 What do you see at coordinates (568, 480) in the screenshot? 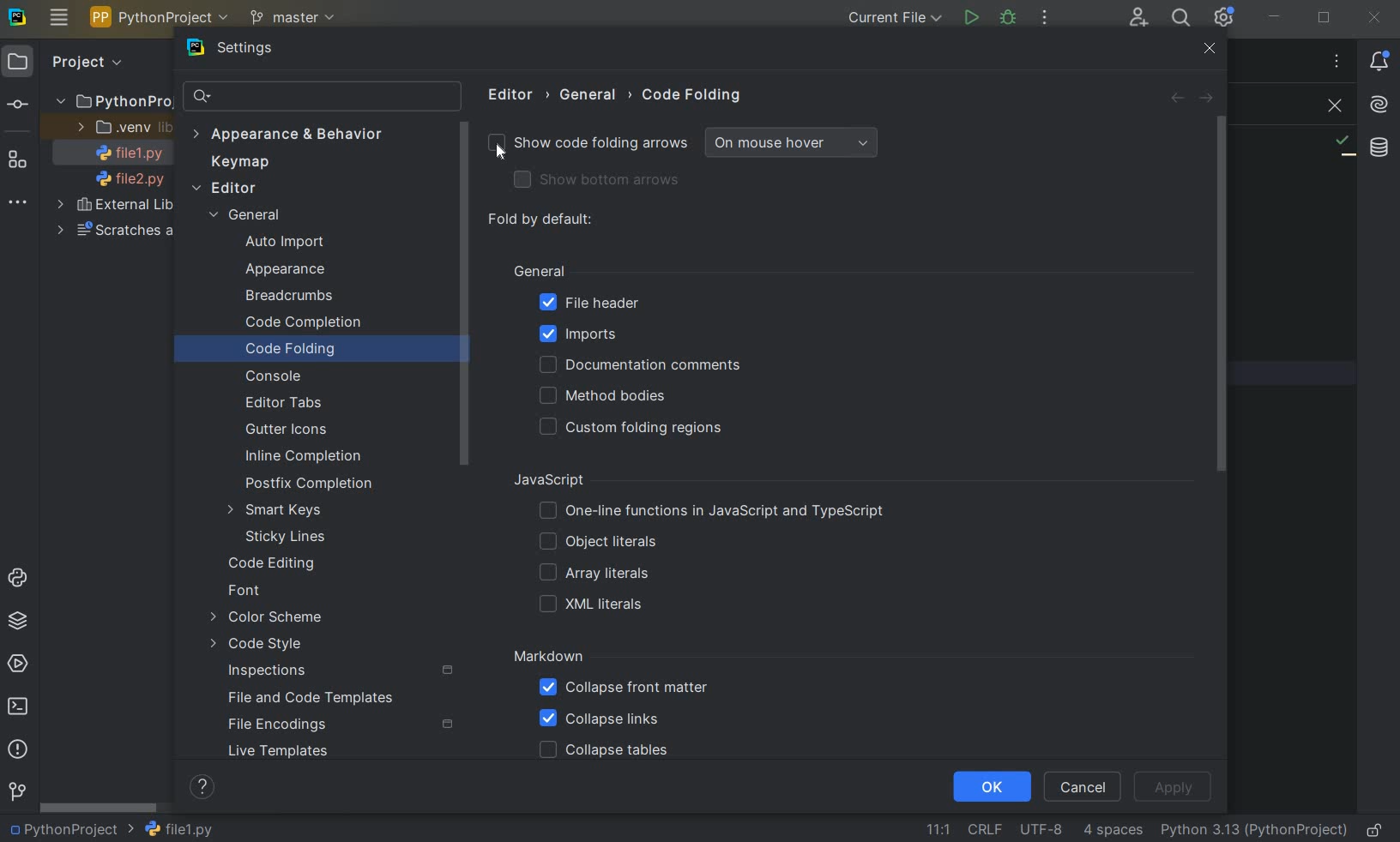
I see `JAVASCRIPT` at bounding box center [568, 480].